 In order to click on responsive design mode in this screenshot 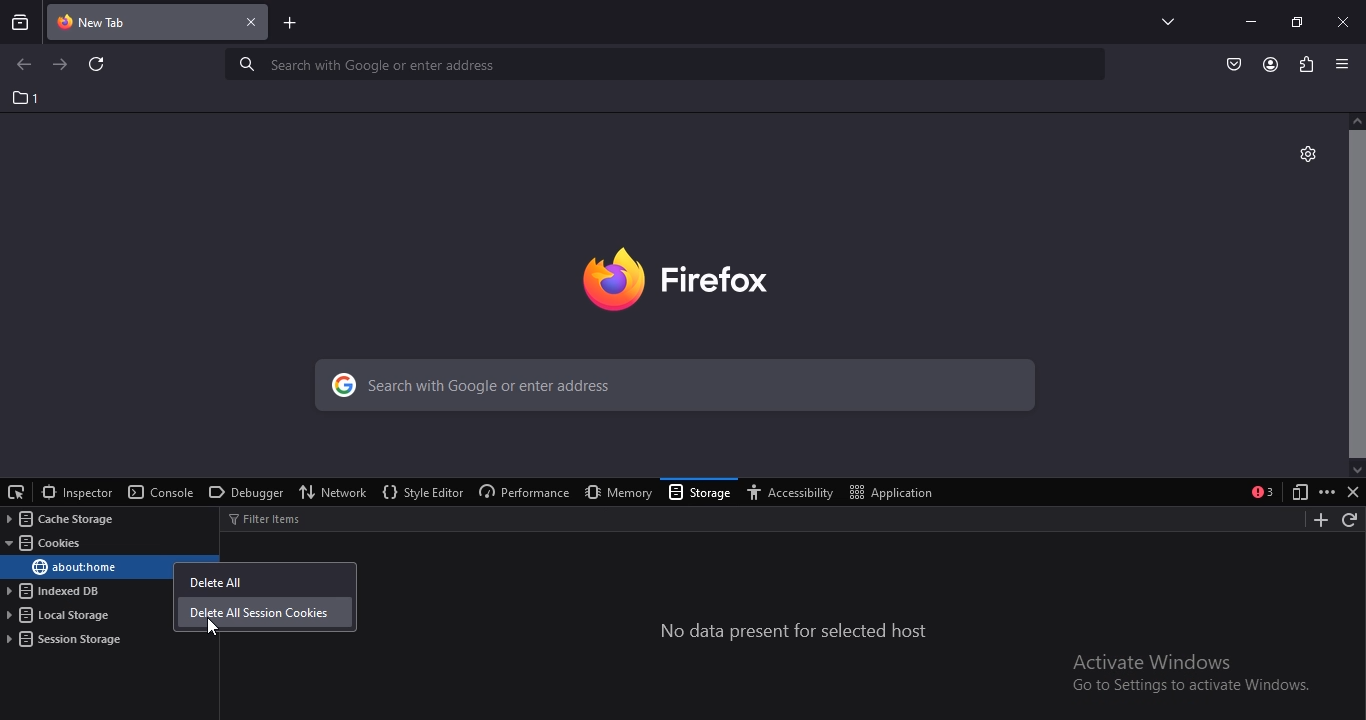, I will do `click(1296, 493)`.